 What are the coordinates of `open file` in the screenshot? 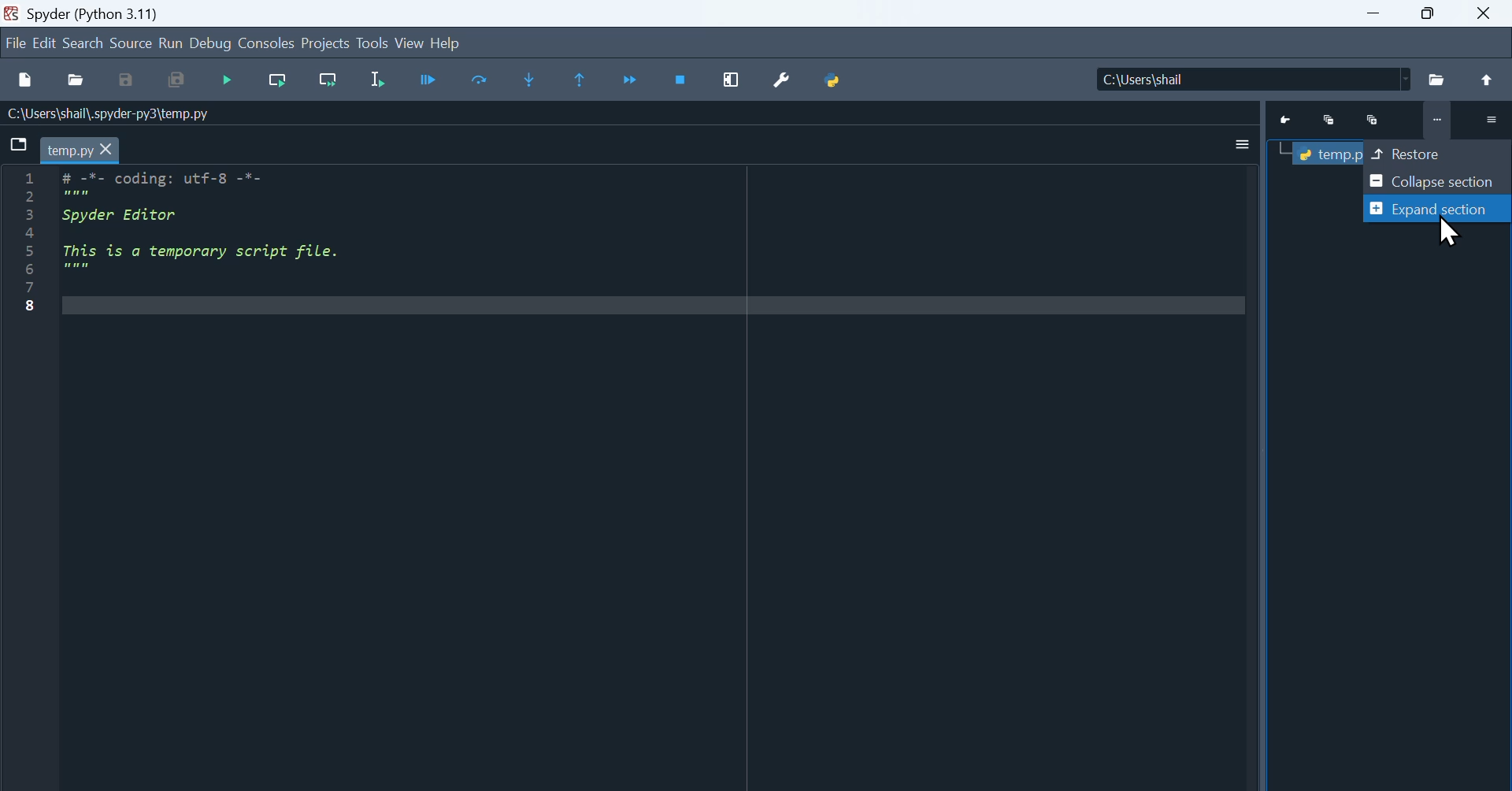 It's located at (76, 80).